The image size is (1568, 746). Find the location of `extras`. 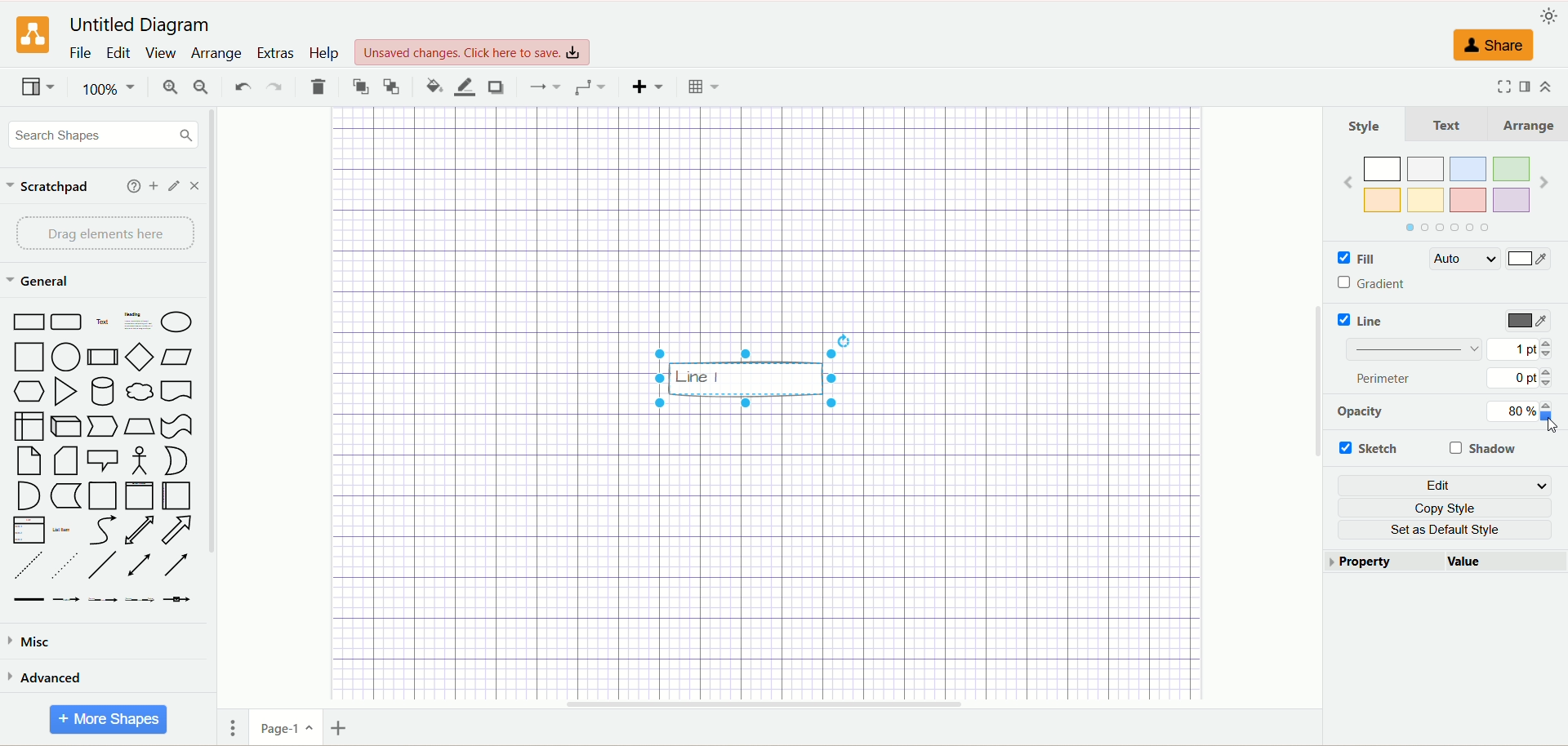

extras is located at coordinates (275, 52).